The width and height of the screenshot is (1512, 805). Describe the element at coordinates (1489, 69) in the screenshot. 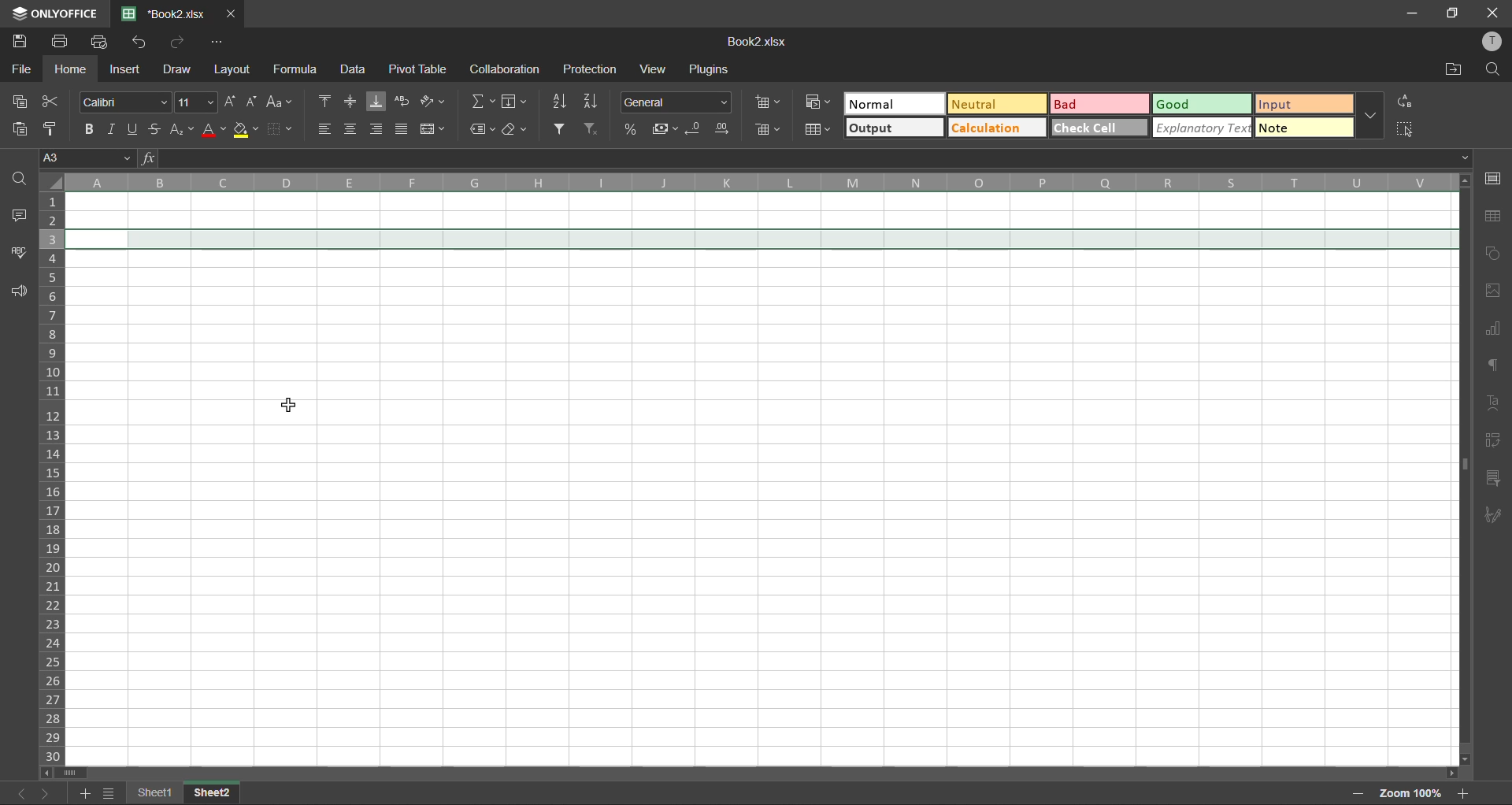

I see `find` at that location.